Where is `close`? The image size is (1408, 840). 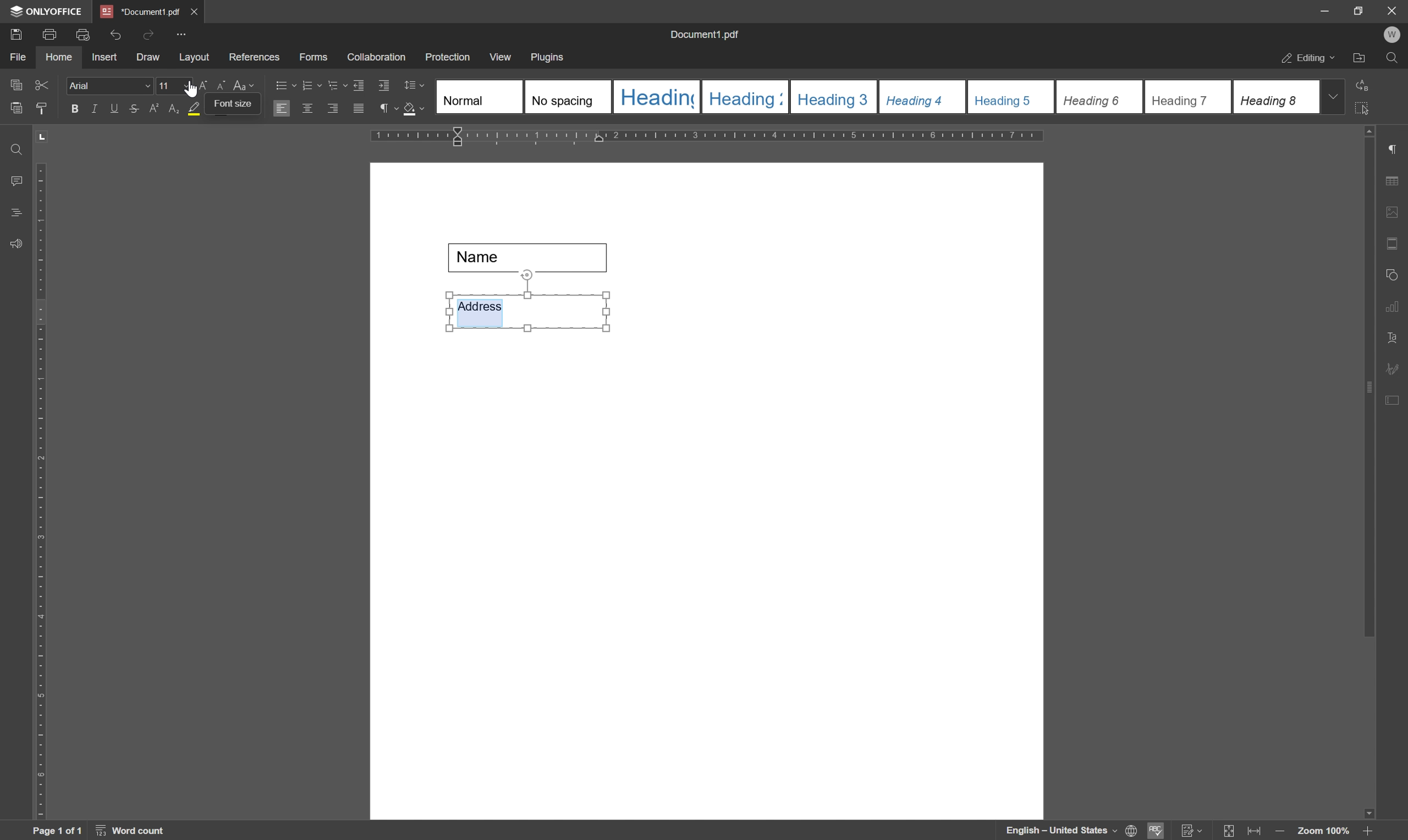
close is located at coordinates (195, 10).